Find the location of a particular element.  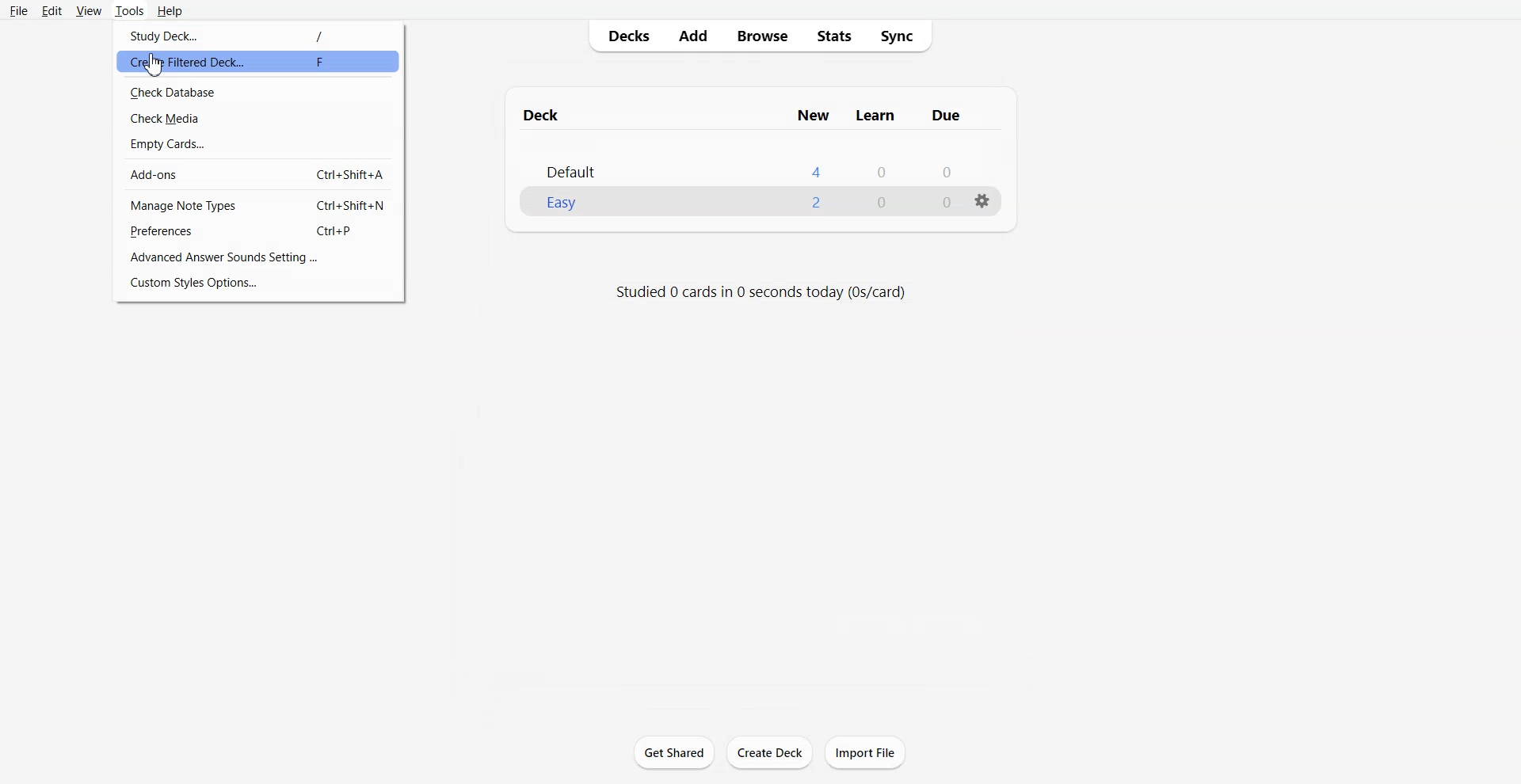

Manage Note Types is located at coordinates (259, 204).